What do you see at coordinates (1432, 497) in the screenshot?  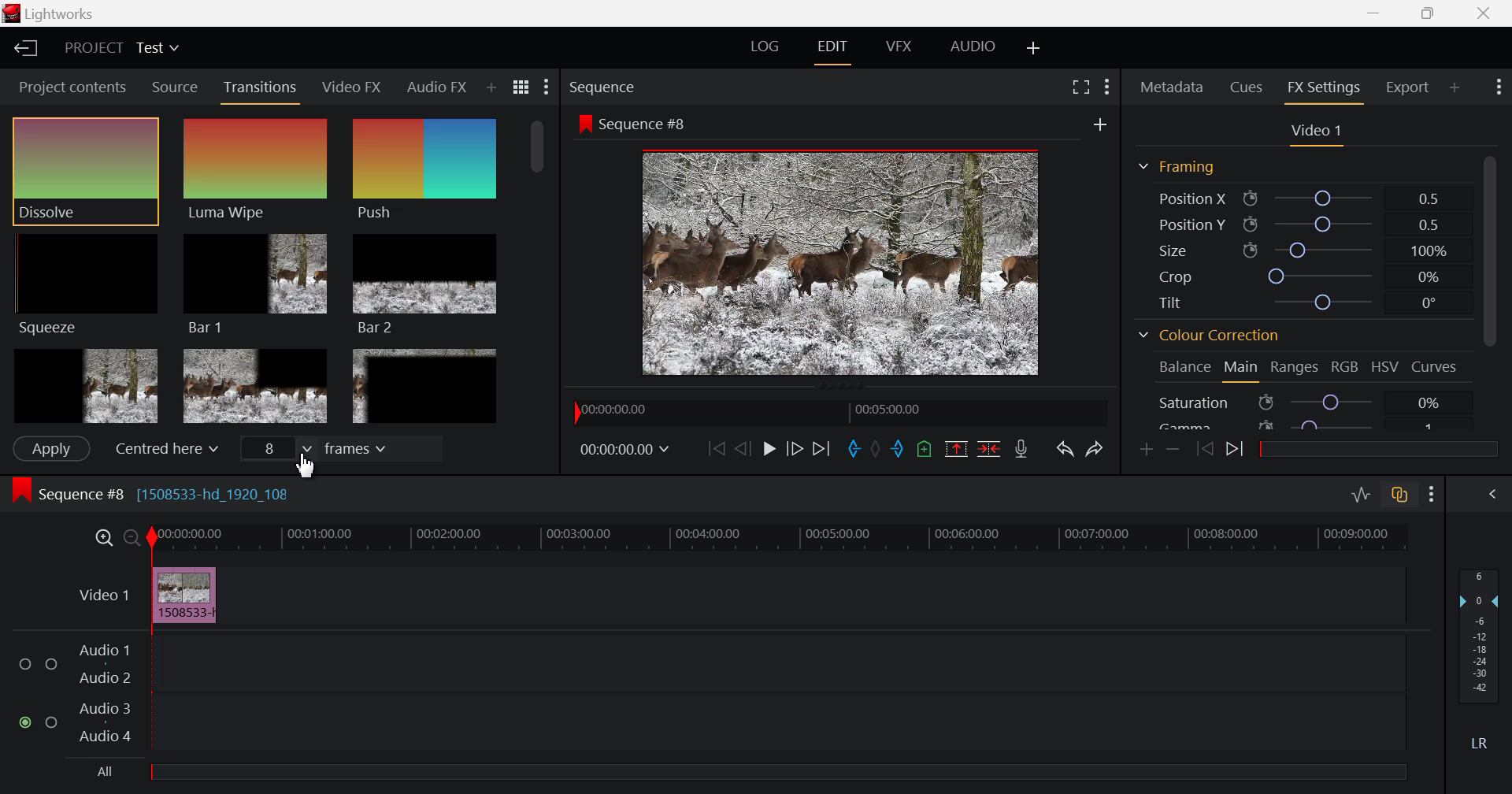 I see `Show Settings` at bounding box center [1432, 497].